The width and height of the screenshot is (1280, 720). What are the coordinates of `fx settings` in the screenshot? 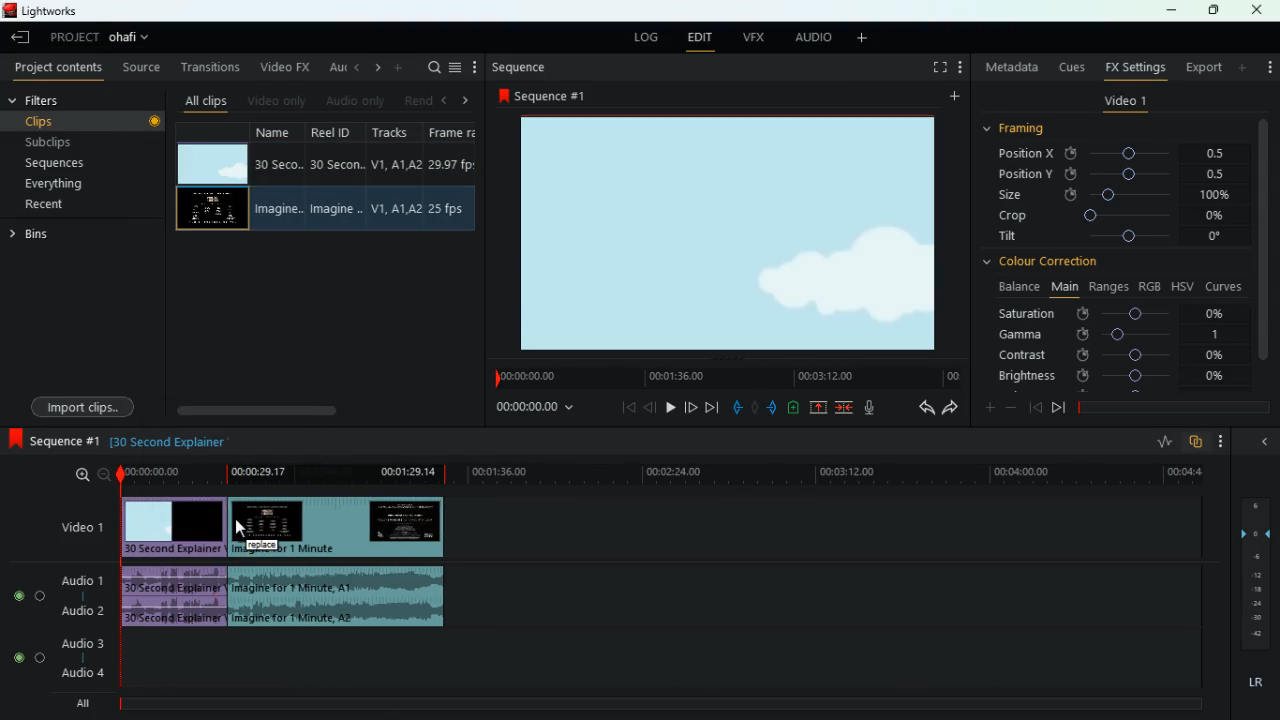 It's located at (1134, 66).